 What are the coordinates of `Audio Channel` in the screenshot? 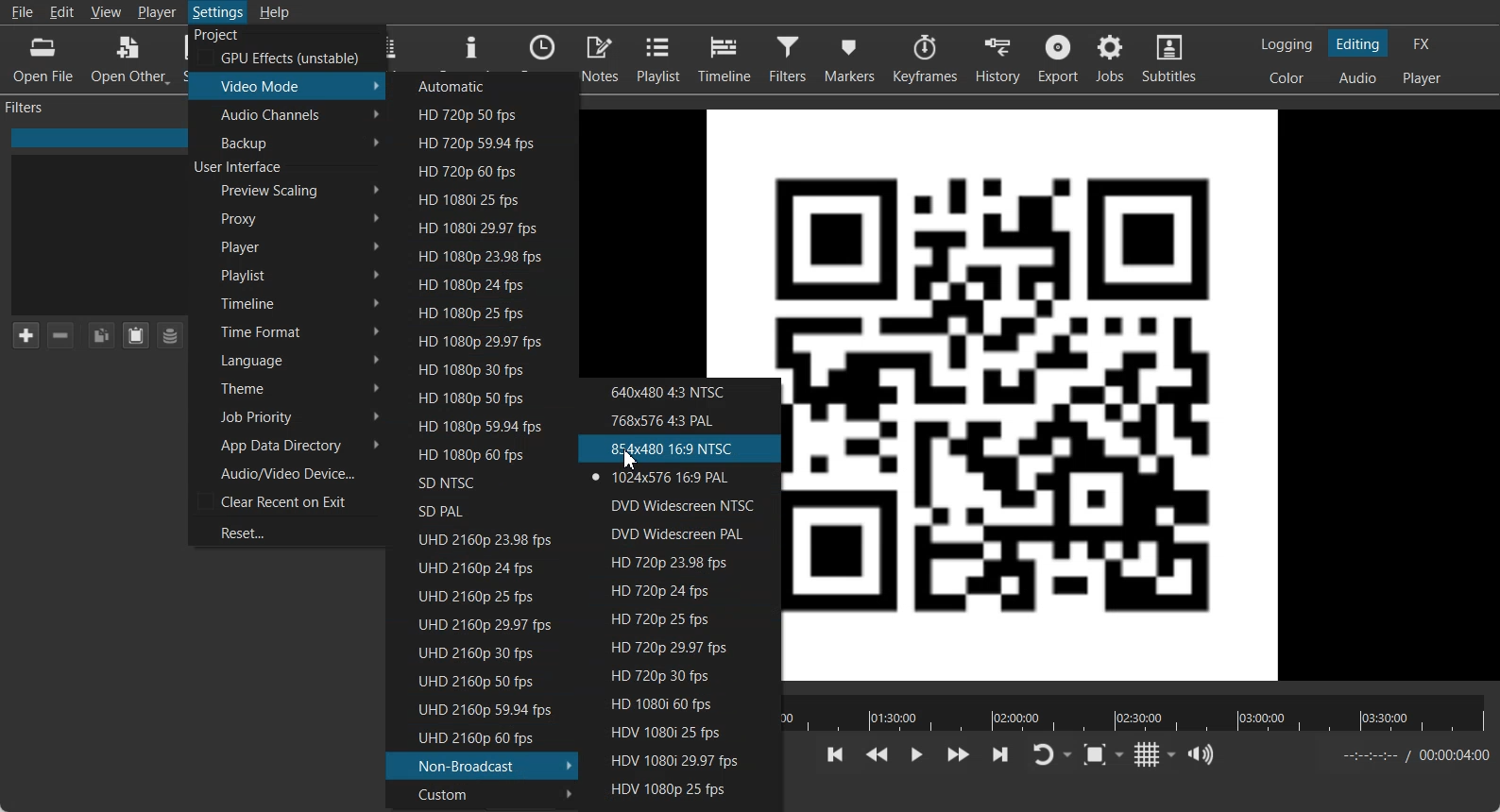 It's located at (287, 114).